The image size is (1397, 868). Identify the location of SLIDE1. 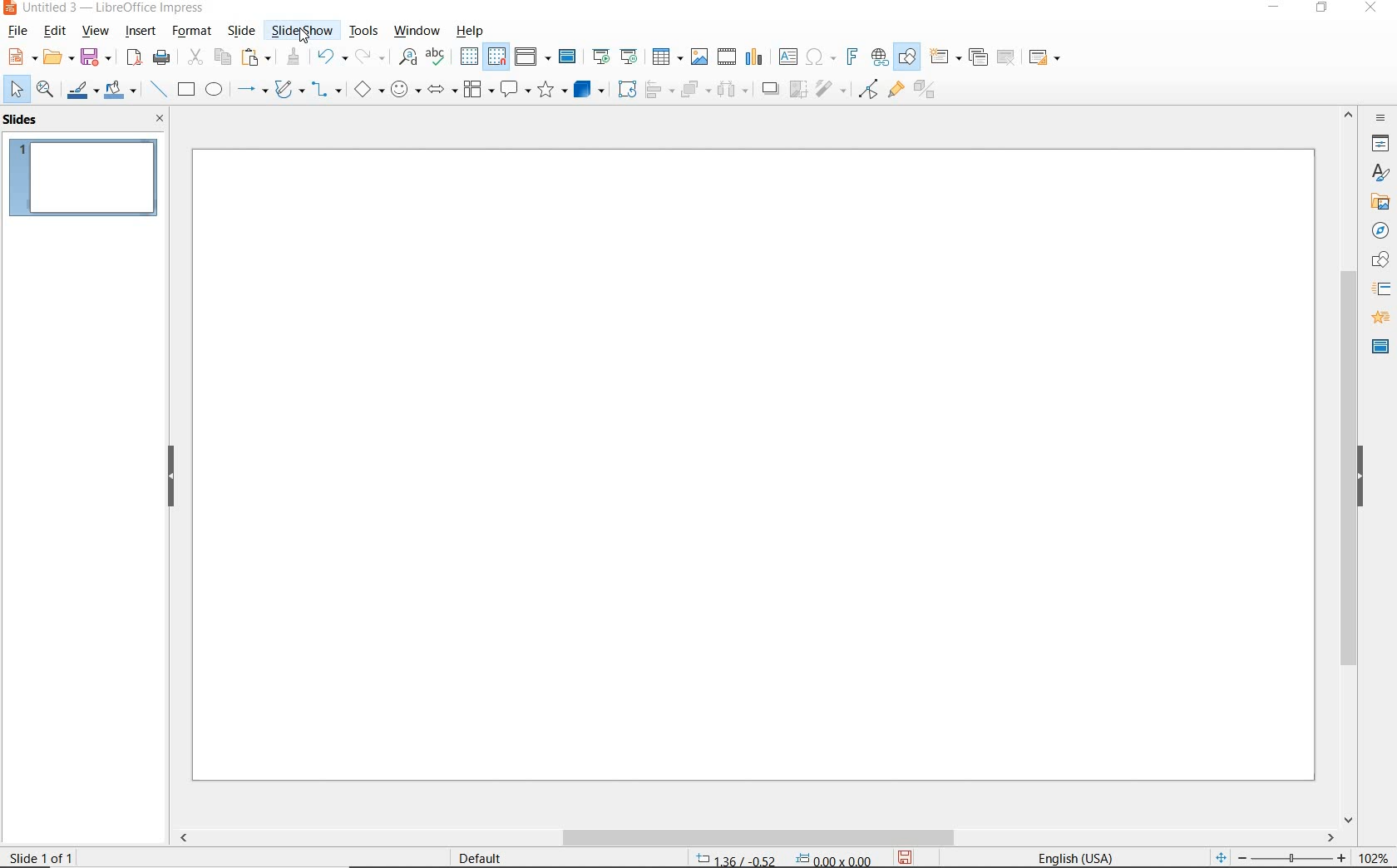
(83, 180).